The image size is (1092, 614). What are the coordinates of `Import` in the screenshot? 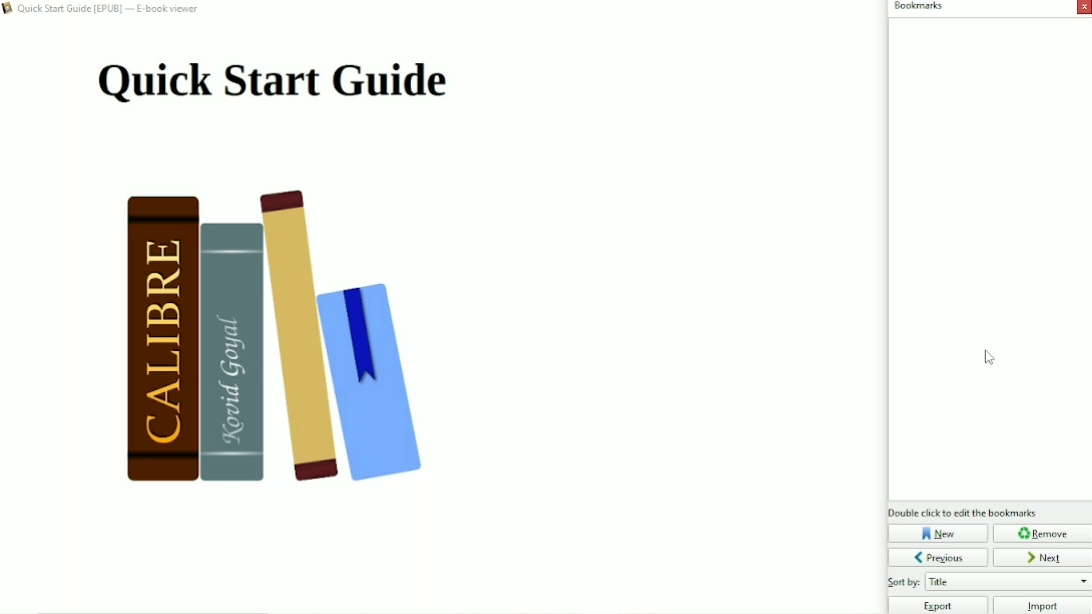 It's located at (1043, 605).